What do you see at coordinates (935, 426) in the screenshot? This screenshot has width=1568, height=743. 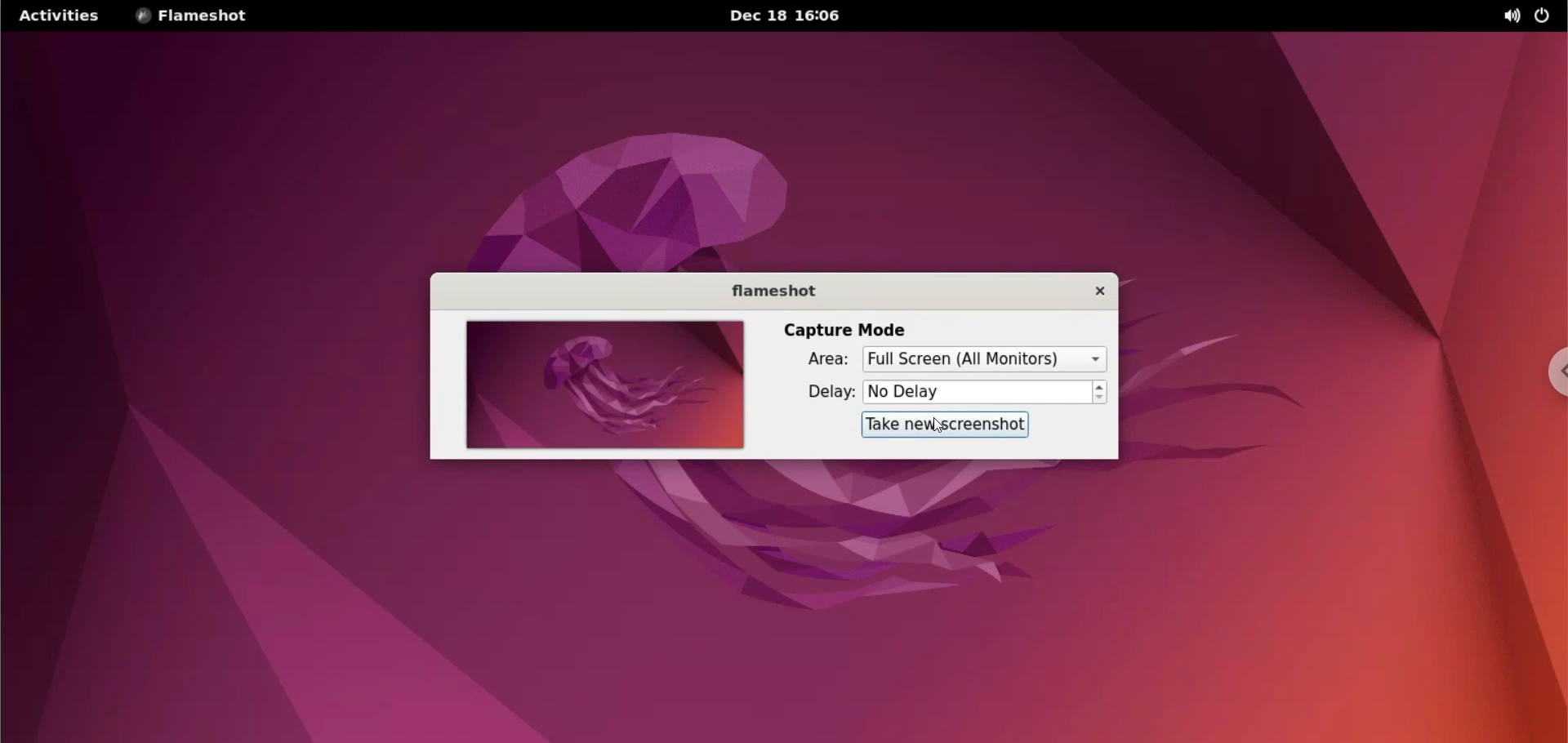 I see `cursor` at bounding box center [935, 426].